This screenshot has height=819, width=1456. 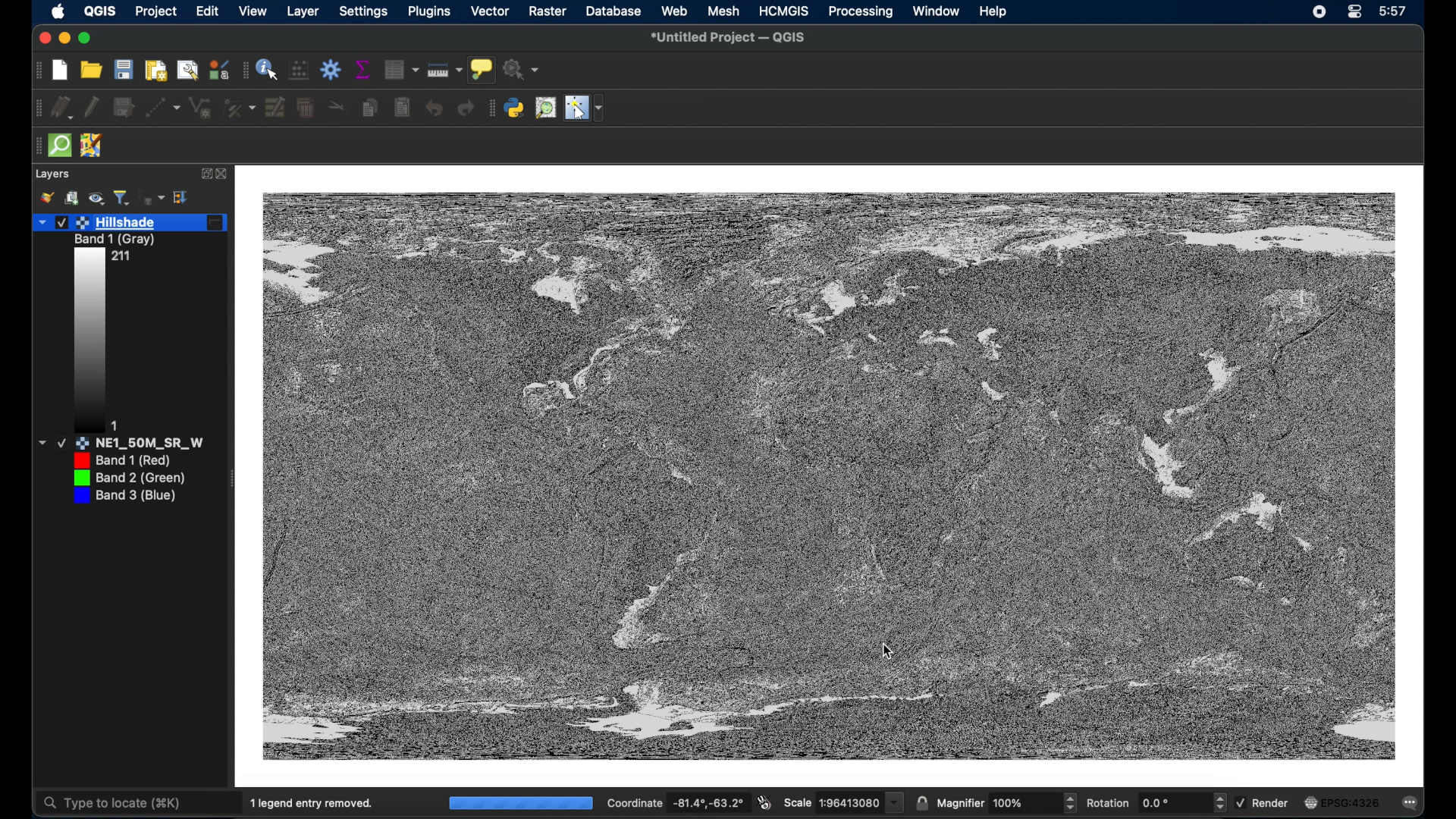 I want to click on raster, so click(x=548, y=11).